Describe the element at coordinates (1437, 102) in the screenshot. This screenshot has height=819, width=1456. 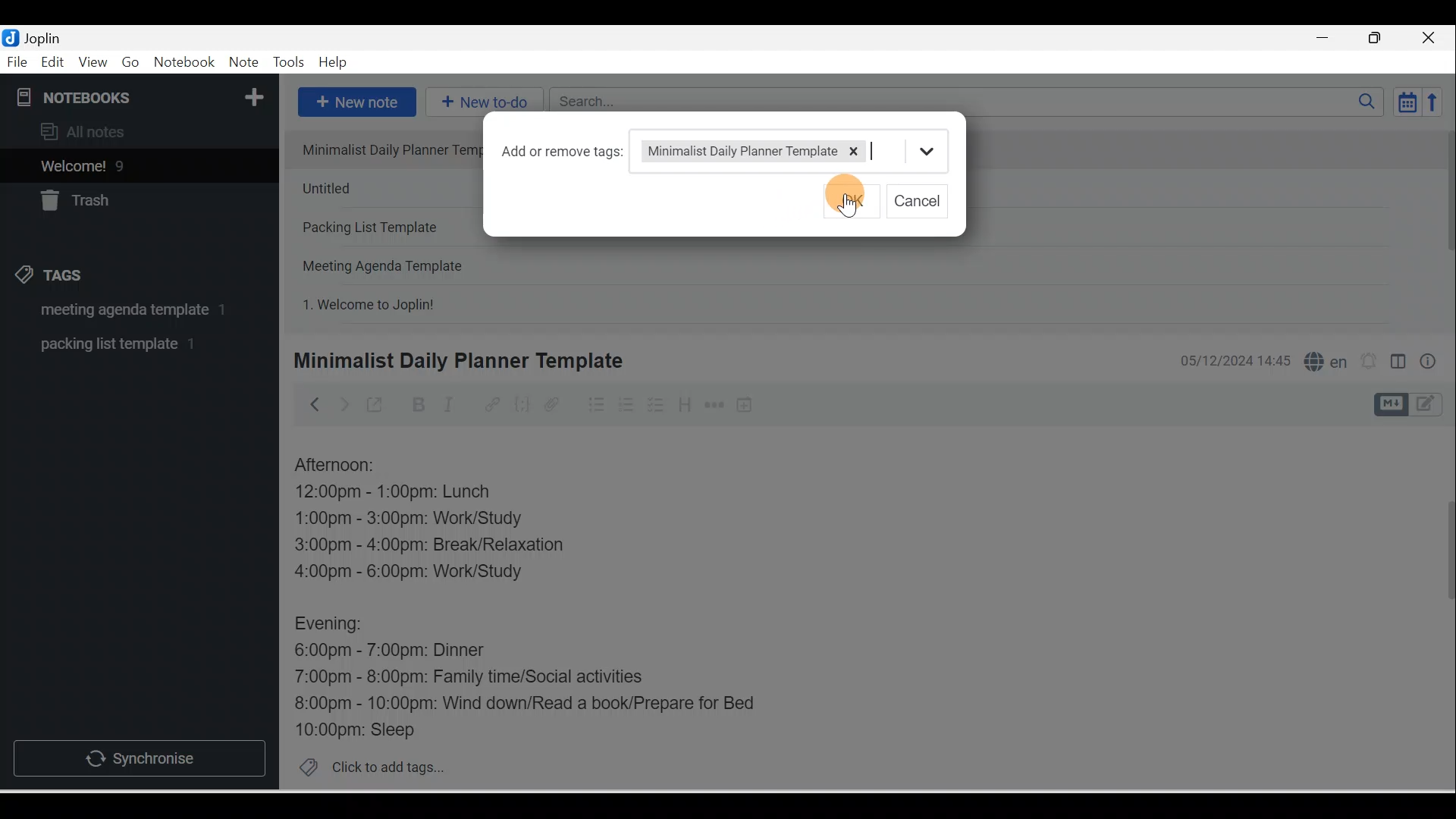
I see `Reverse sort` at that location.